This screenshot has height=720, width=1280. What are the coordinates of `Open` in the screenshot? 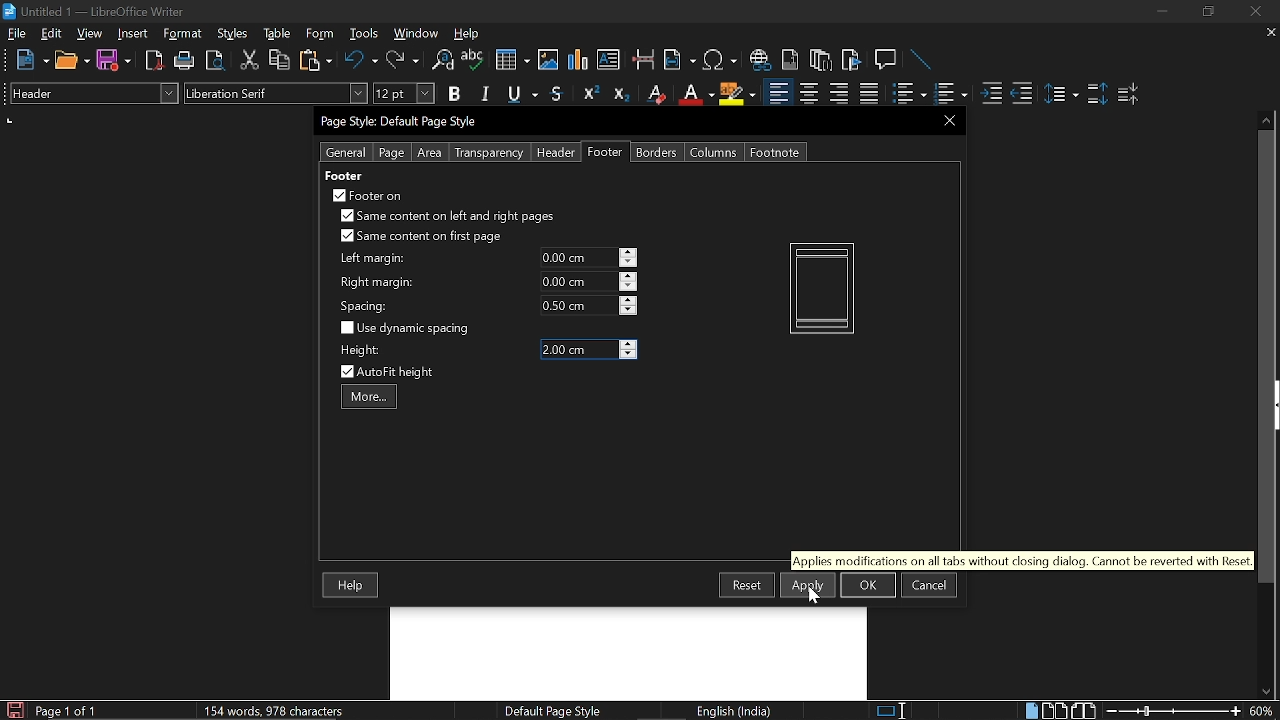 It's located at (72, 61).